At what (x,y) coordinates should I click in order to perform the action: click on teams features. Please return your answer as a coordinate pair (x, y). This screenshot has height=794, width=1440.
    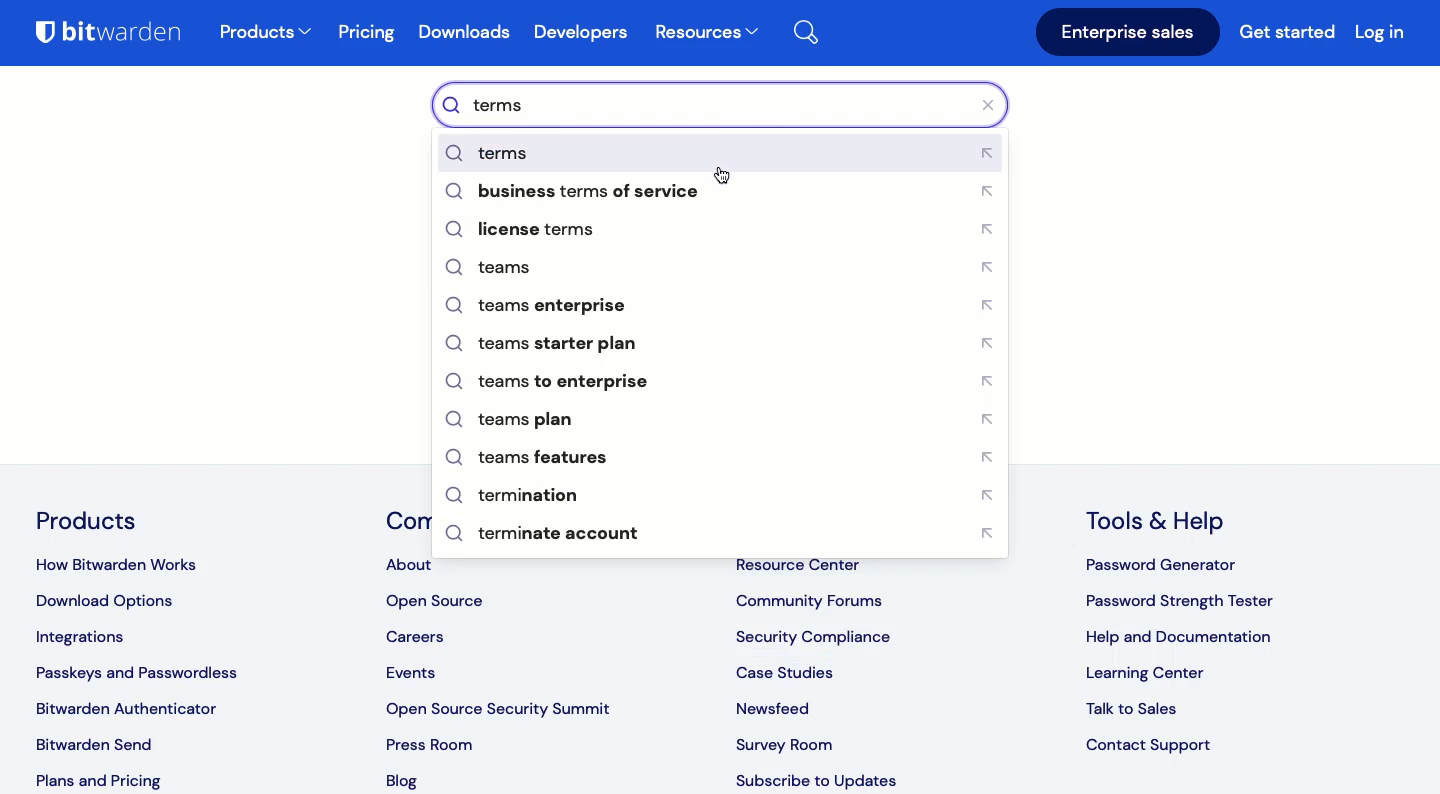
    Looking at the image, I should click on (729, 461).